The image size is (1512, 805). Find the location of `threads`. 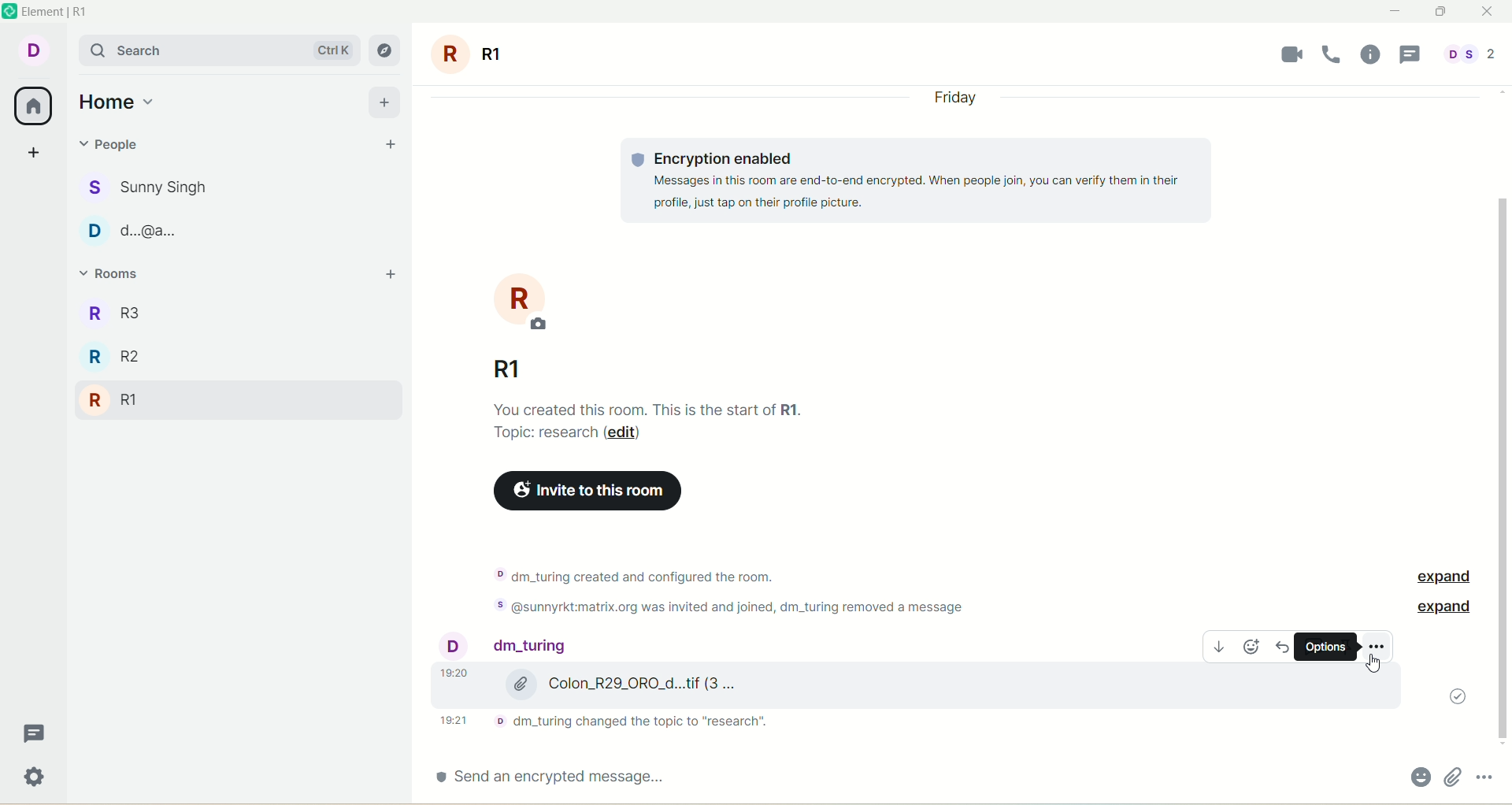

threads is located at coordinates (1410, 56).